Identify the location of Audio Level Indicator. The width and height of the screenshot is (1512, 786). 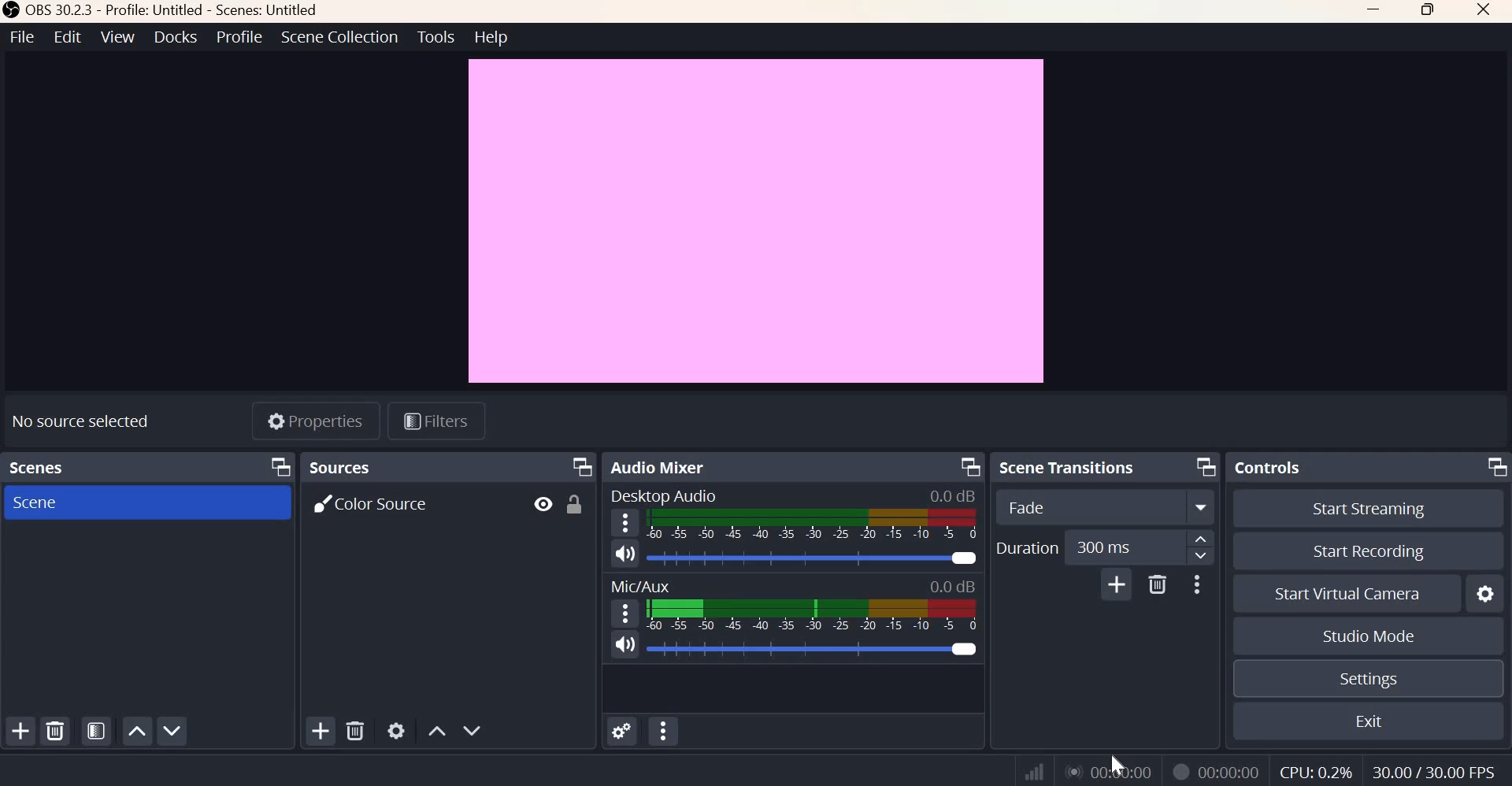
(952, 584).